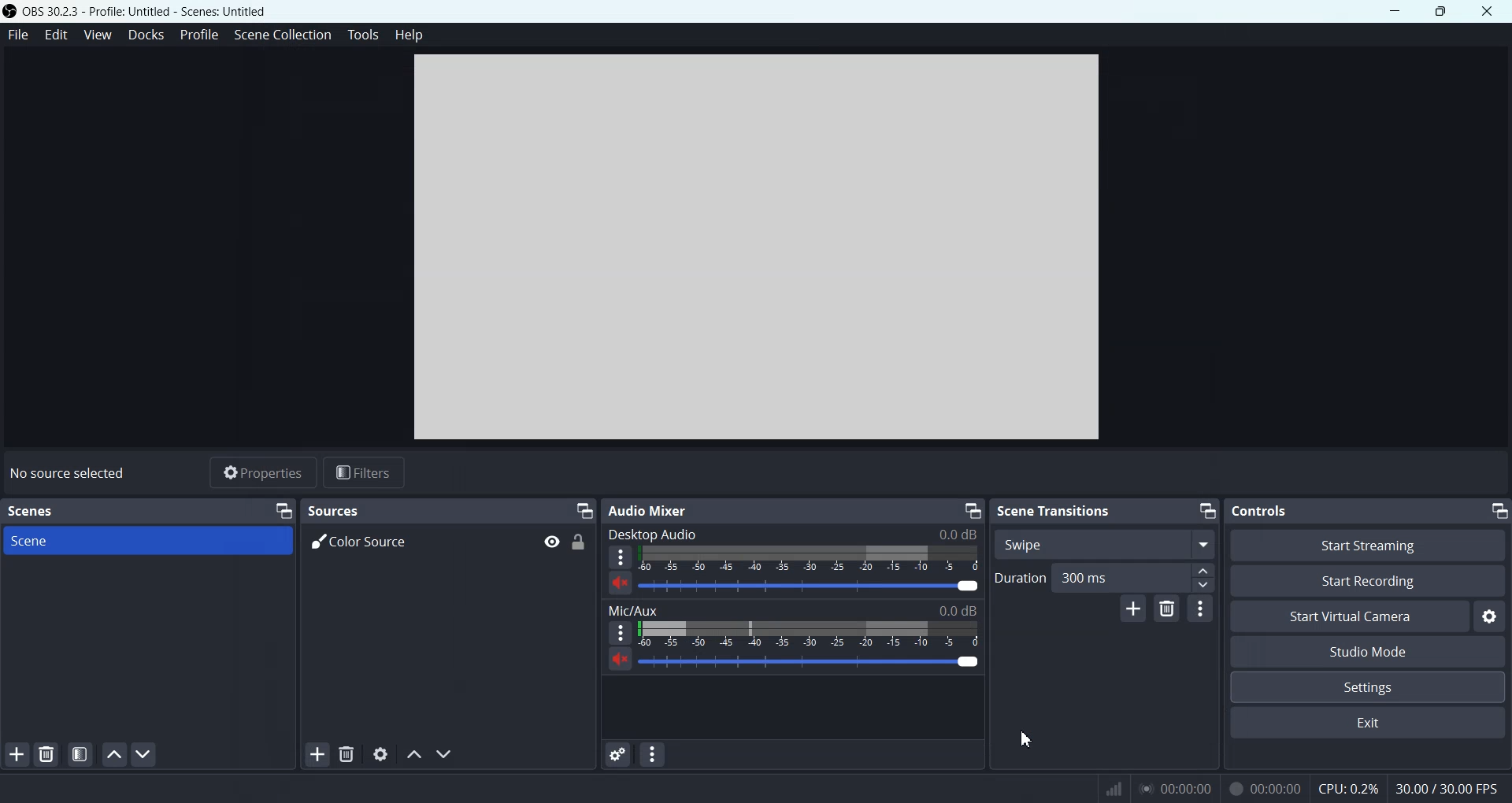 The height and width of the screenshot is (803, 1512). Describe the element at coordinates (621, 557) in the screenshot. I see `More` at that location.